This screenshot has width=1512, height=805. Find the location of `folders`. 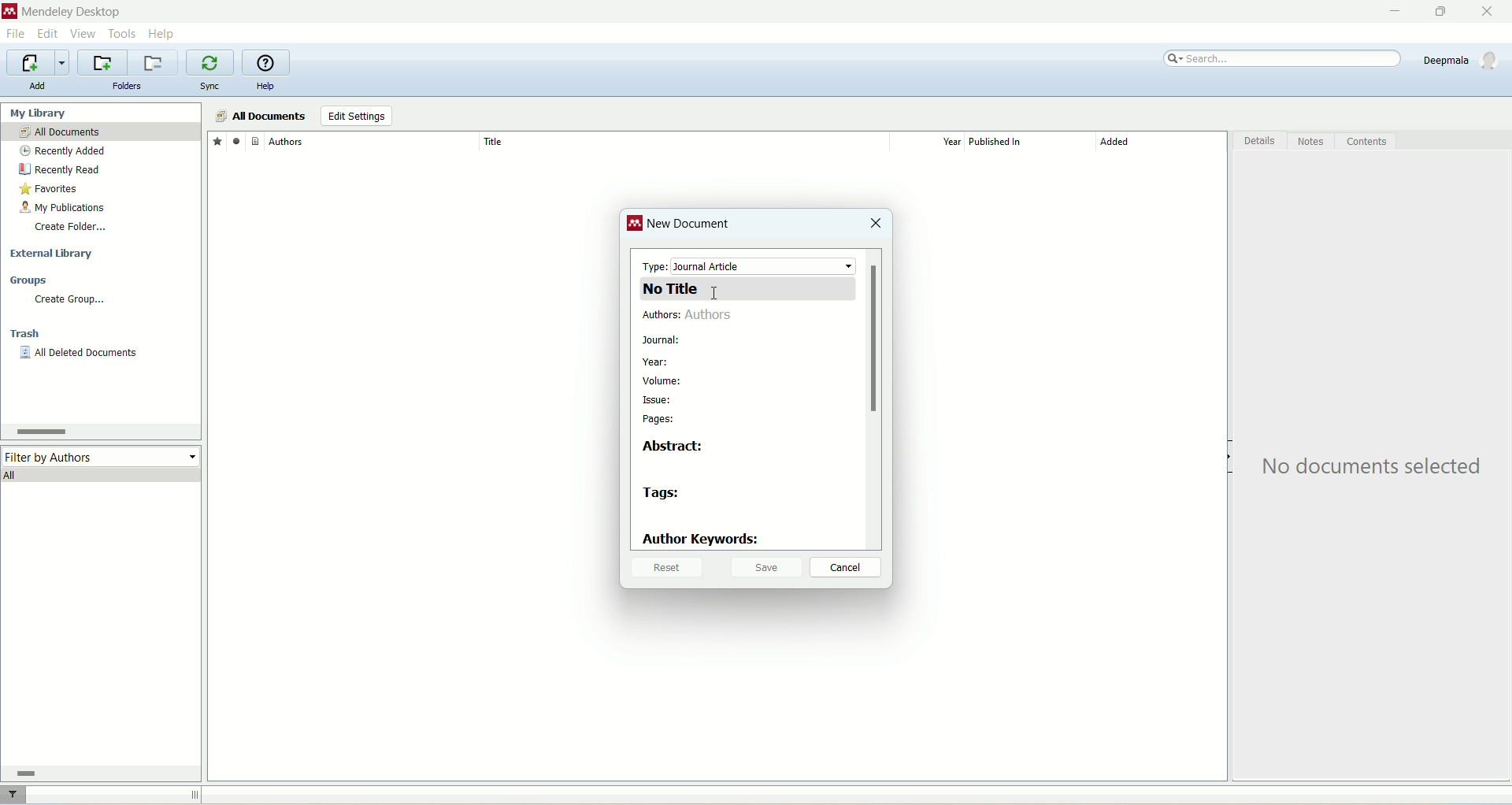

folders is located at coordinates (128, 87).